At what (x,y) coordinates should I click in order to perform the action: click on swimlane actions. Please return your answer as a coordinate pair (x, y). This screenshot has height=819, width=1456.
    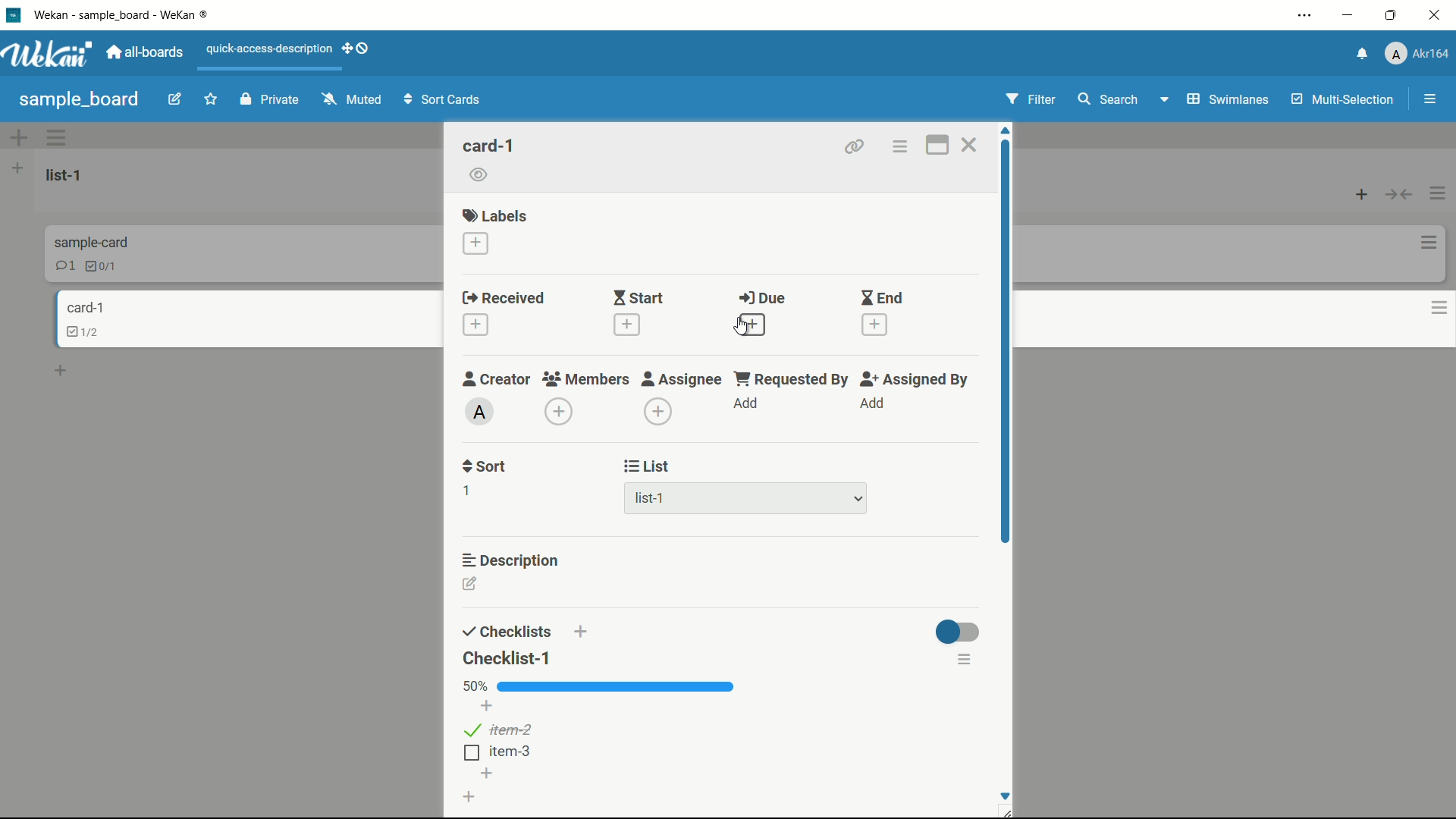
    Looking at the image, I should click on (58, 137).